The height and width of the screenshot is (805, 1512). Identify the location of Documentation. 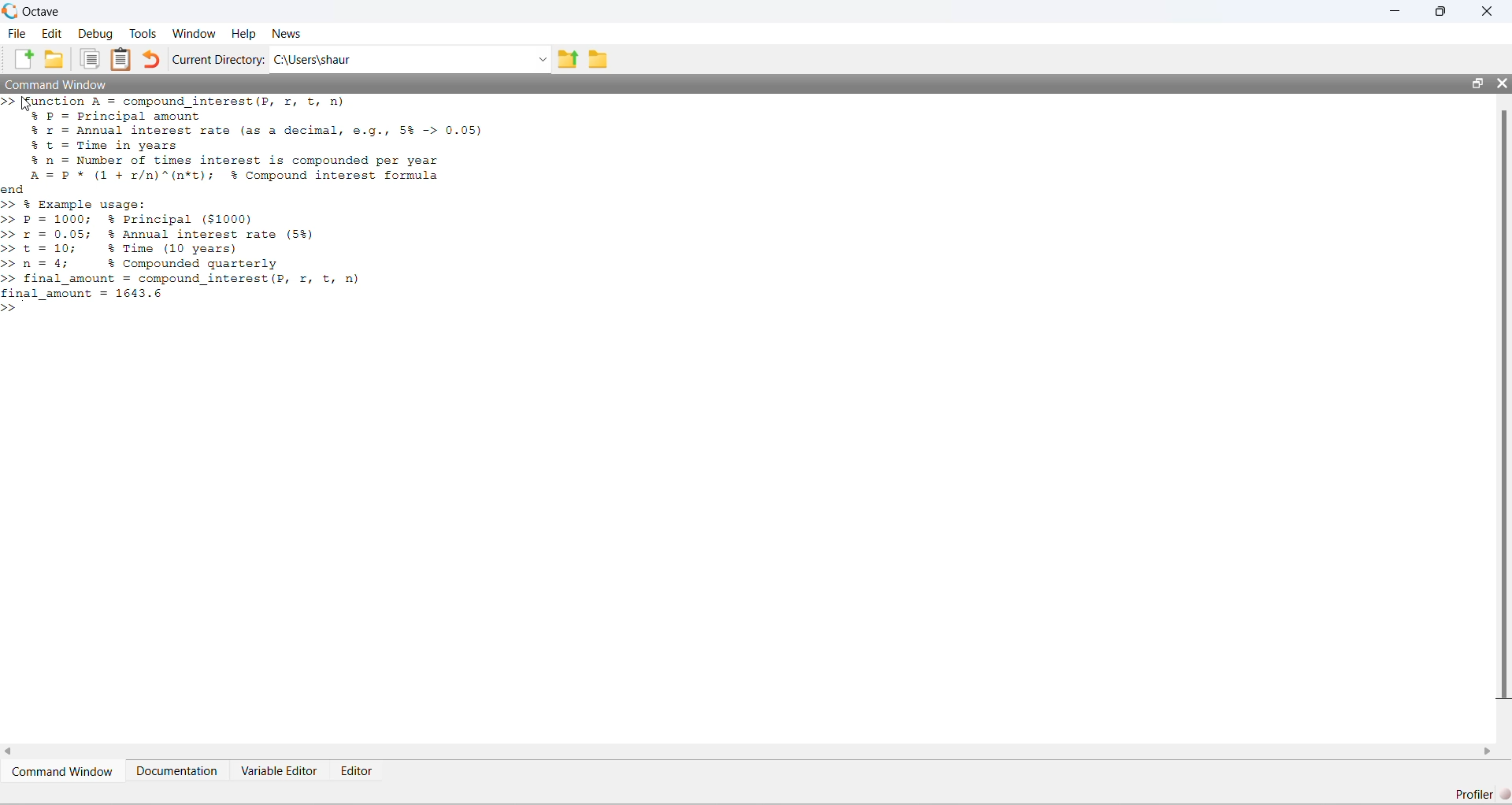
(177, 770).